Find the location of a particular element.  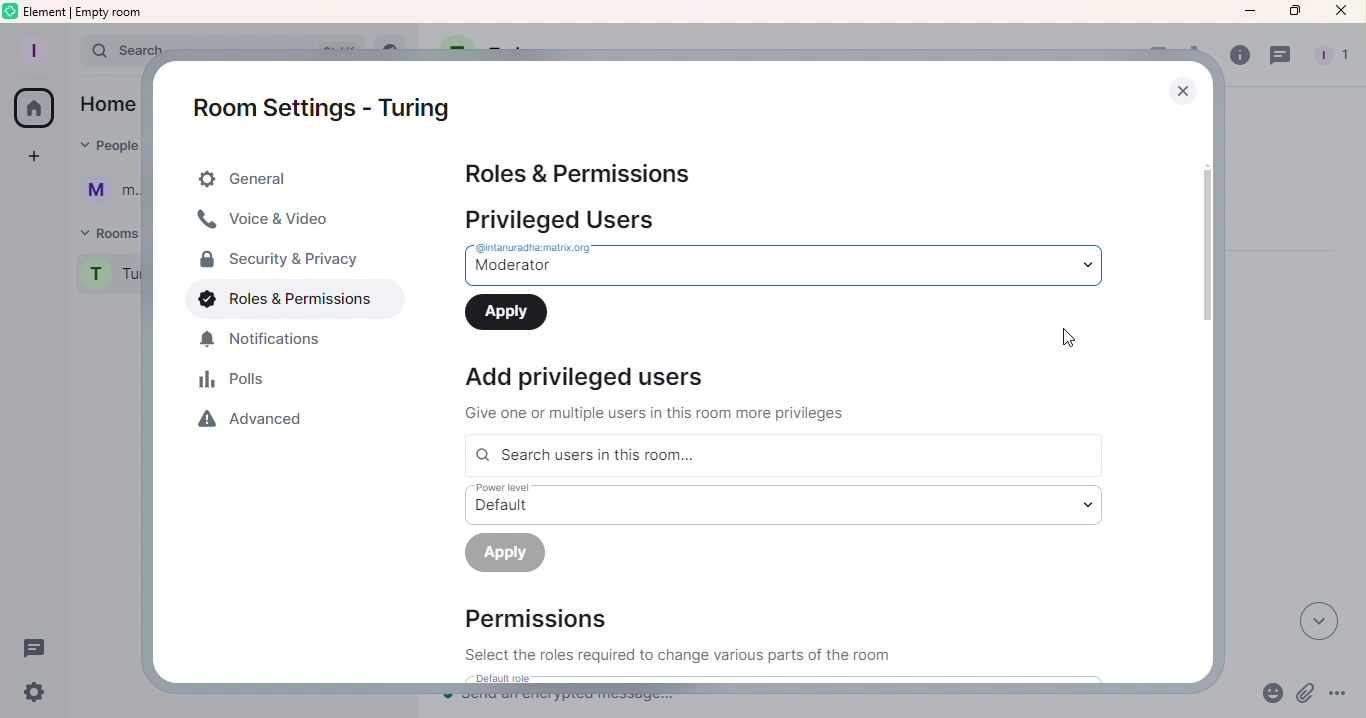

General is located at coordinates (301, 175).